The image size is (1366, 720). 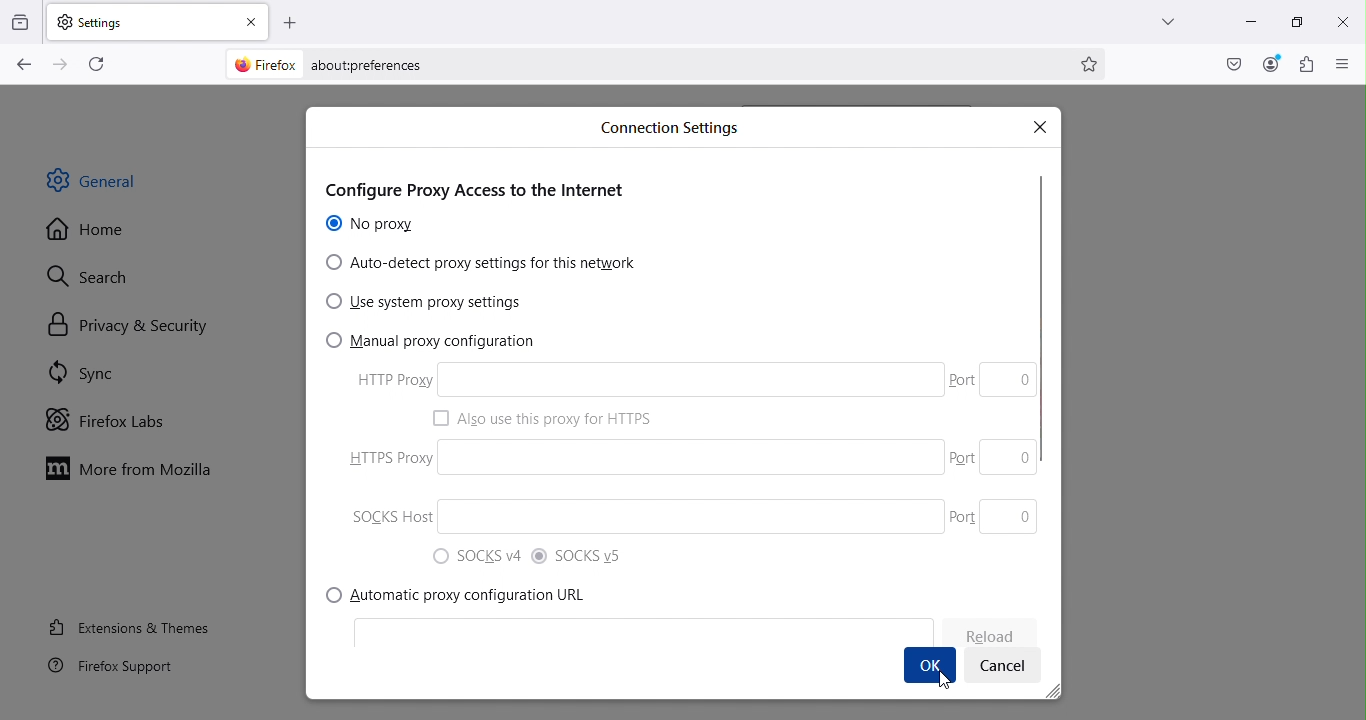 I want to click on Port, so click(x=1012, y=457).